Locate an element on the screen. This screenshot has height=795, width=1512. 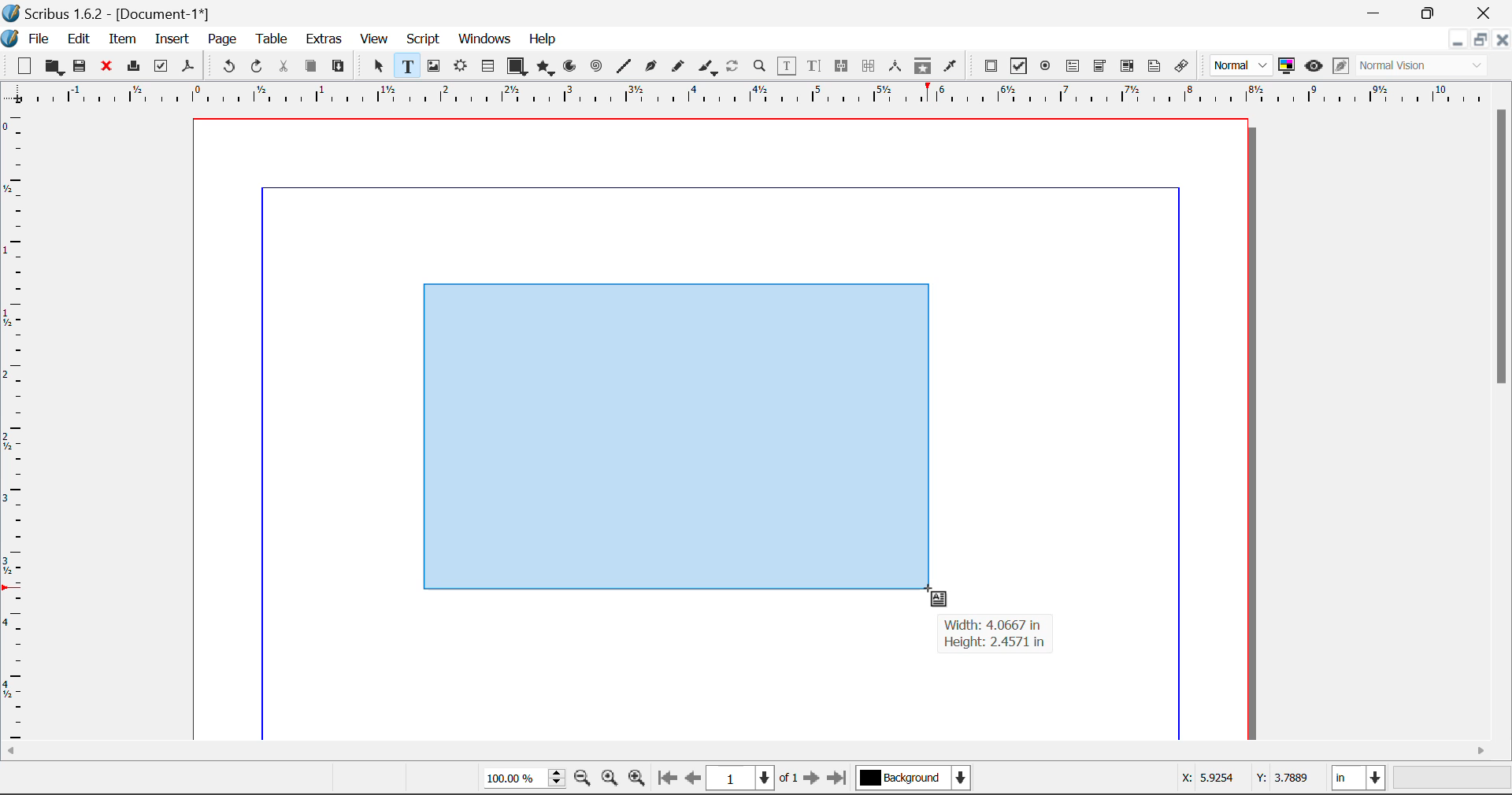
Save as Pdf is located at coordinates (188, 67).